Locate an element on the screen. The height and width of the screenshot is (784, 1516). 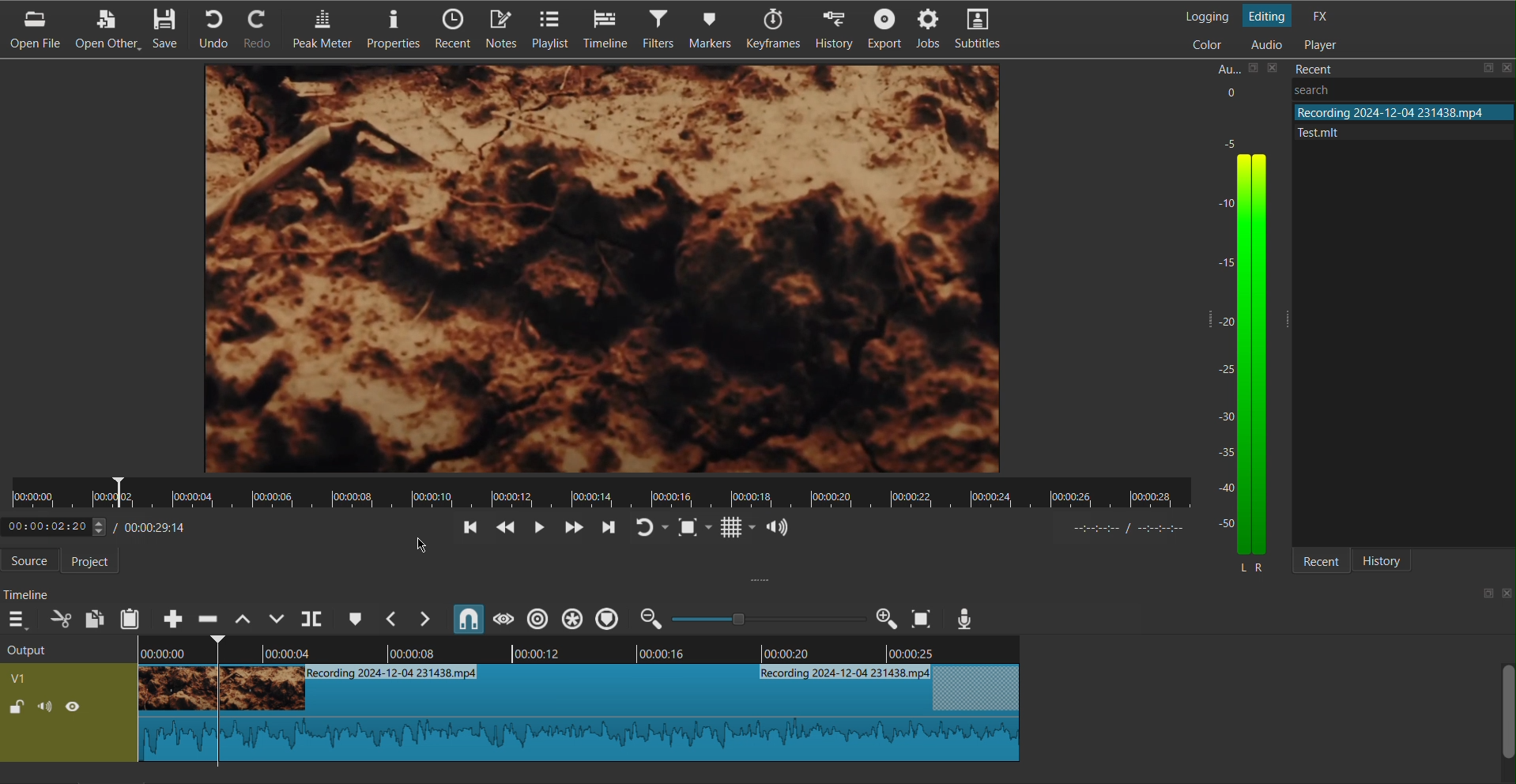
zoom out is located at coordinates (652, 618).